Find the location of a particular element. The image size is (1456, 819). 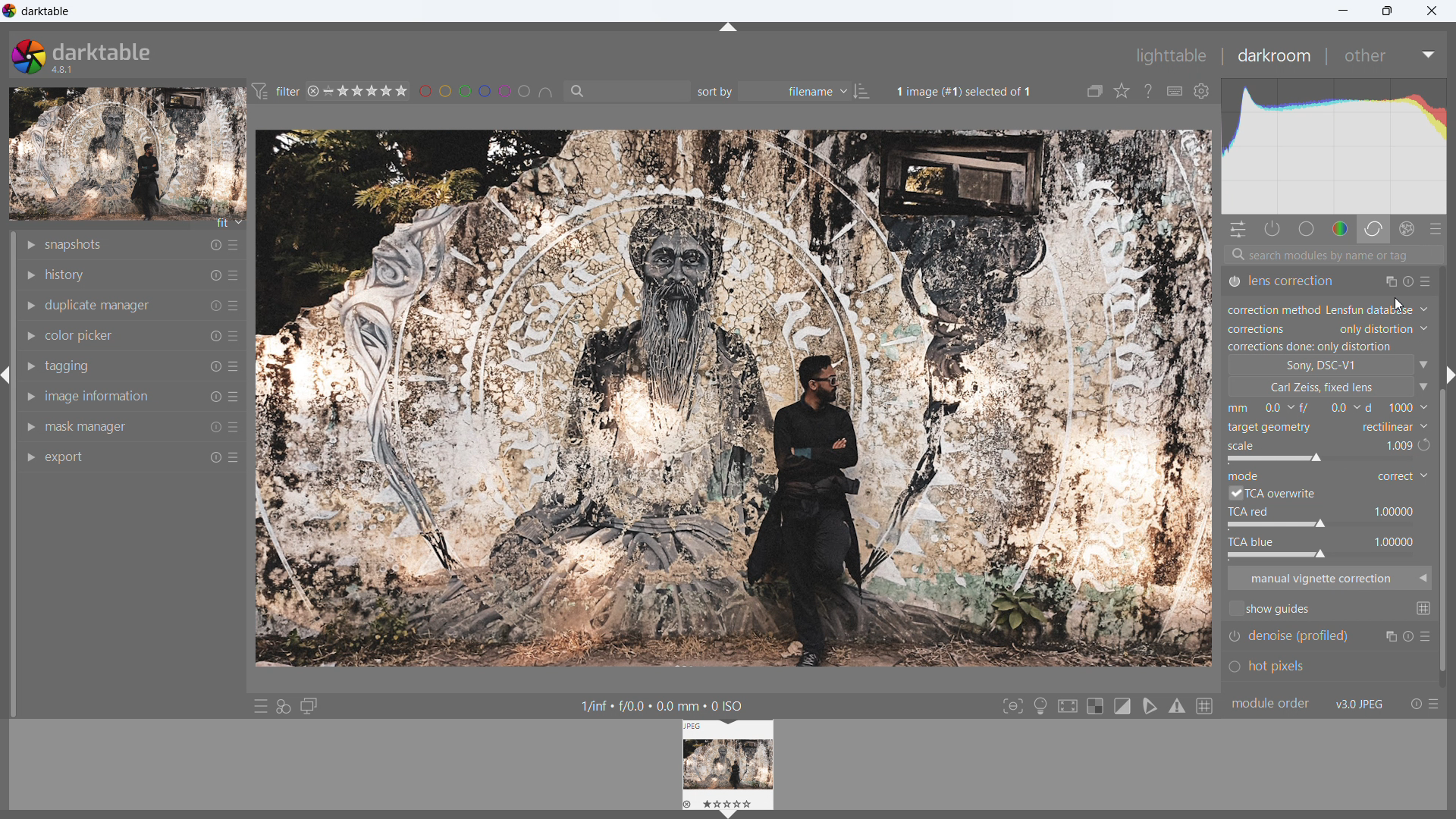

more options is located at coordinates (235, 245).